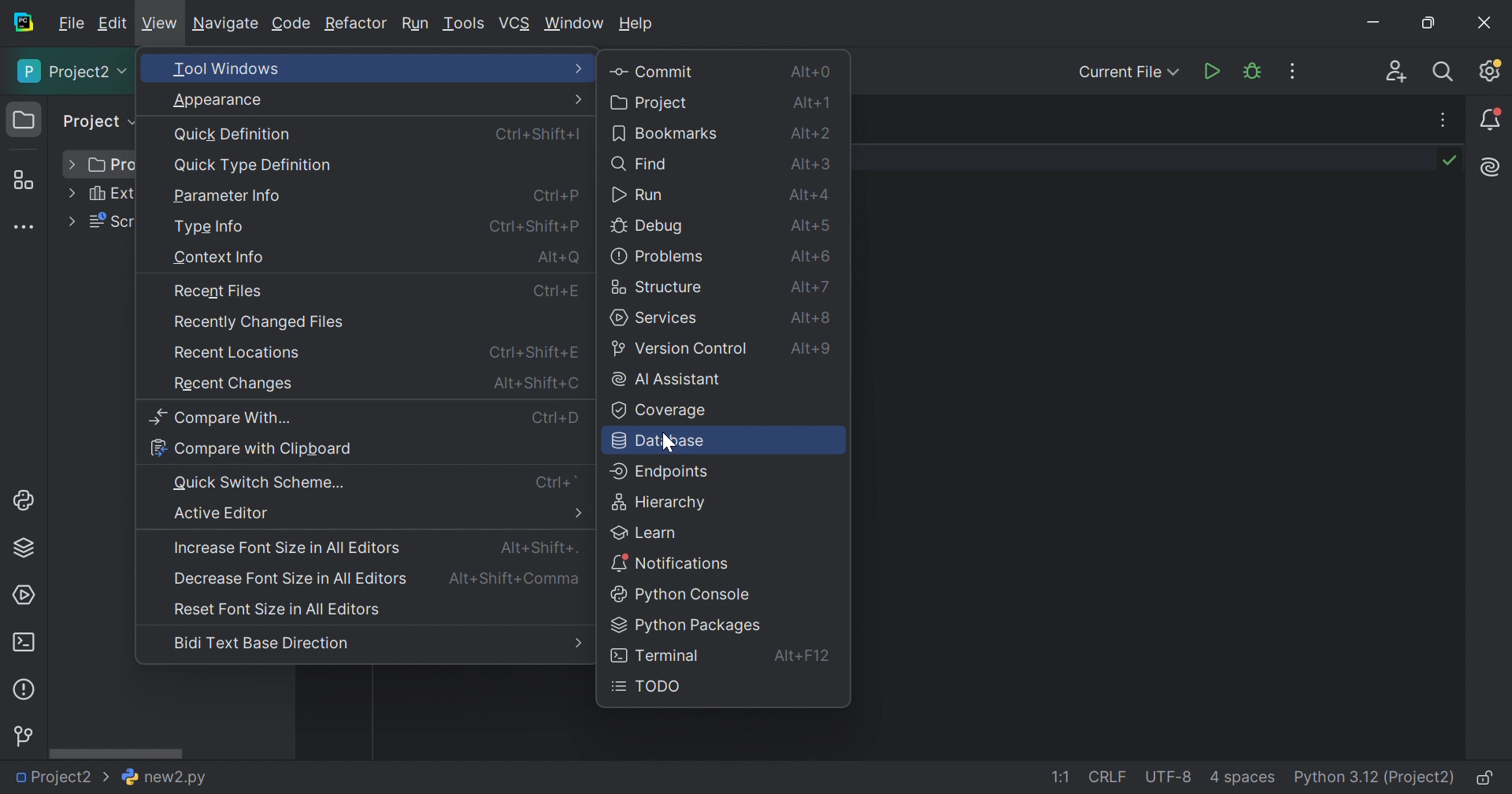 This screenshot has width=1512, height=794. What do you see at coordinates (263, 322) in the screenshot?
I see `Recently changed files` at bounding box center [263, 322].